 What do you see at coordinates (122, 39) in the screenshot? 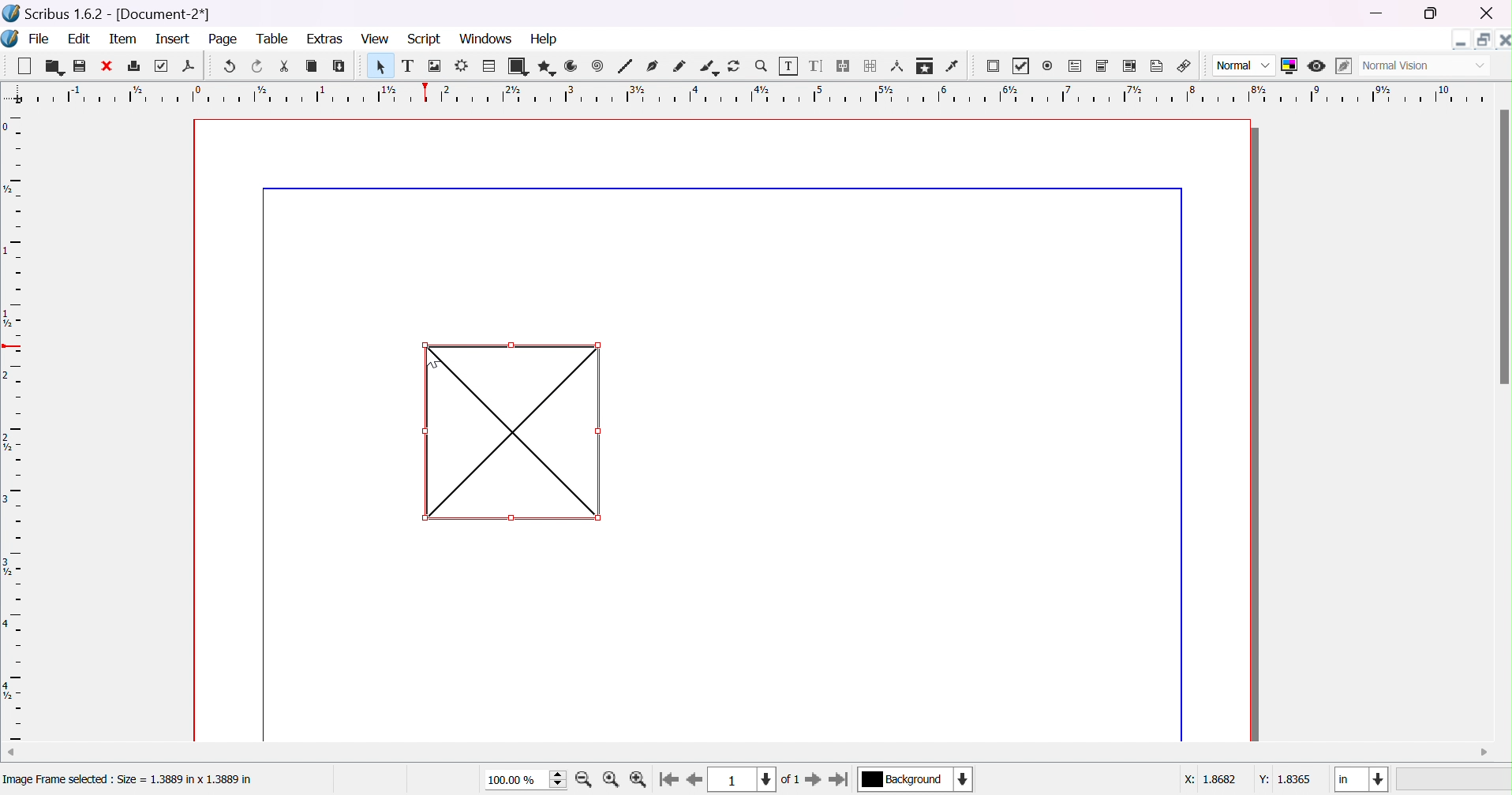
I see `item` at bounding box center [122, 39].